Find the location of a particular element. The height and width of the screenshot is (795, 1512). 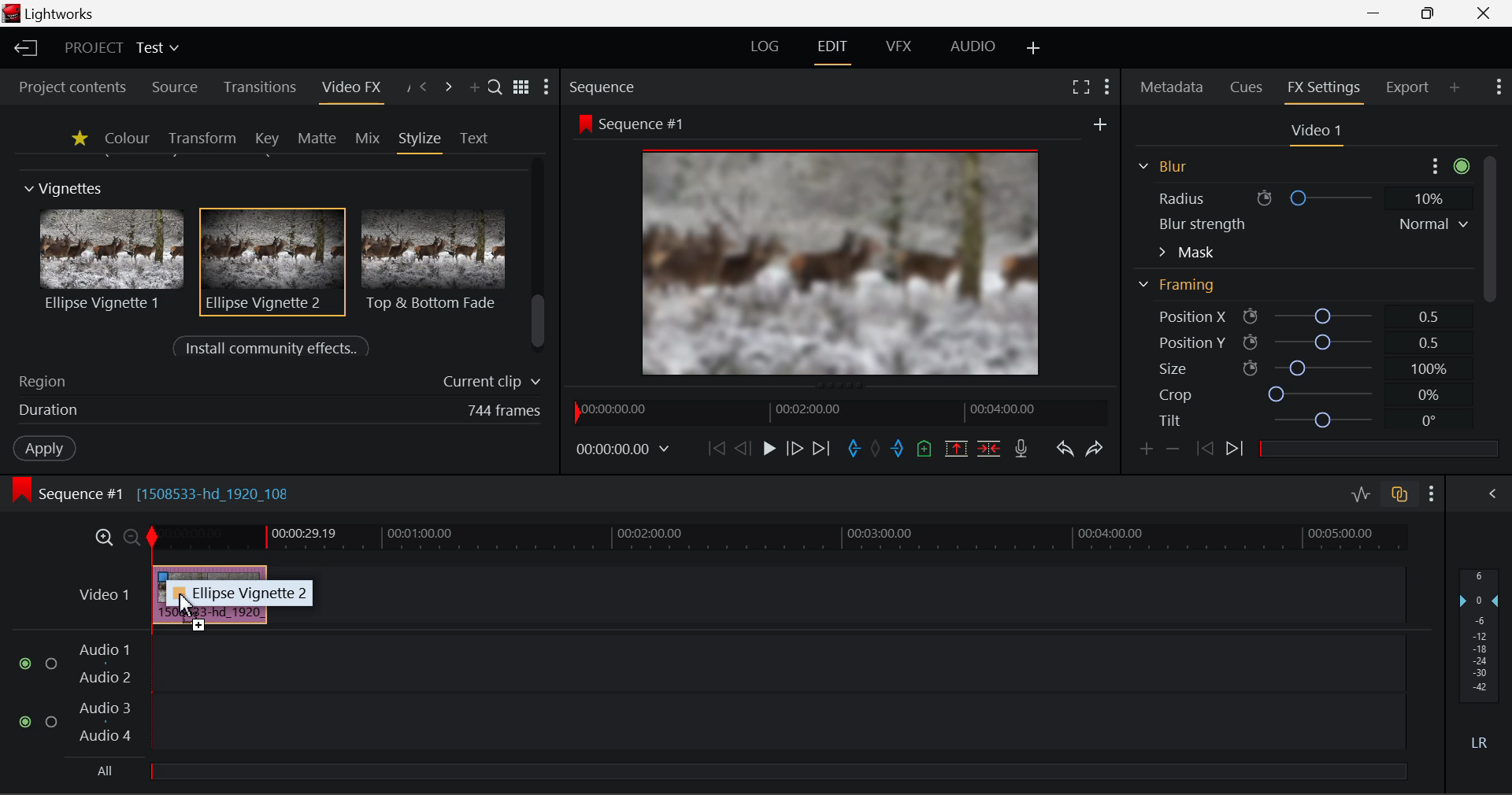

Show Settings is located at coordinates (550, 87).